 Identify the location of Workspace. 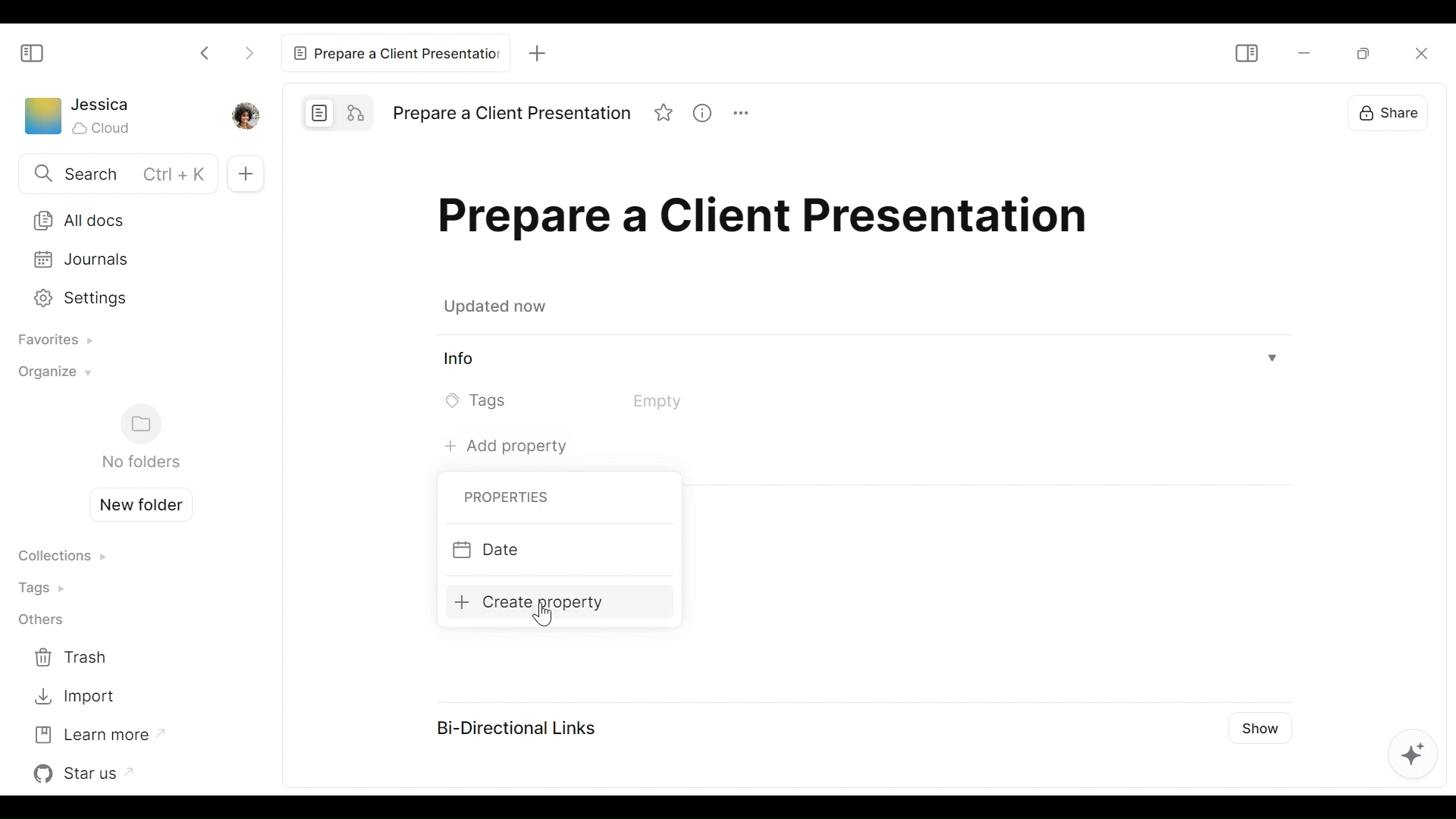
(42, 119).